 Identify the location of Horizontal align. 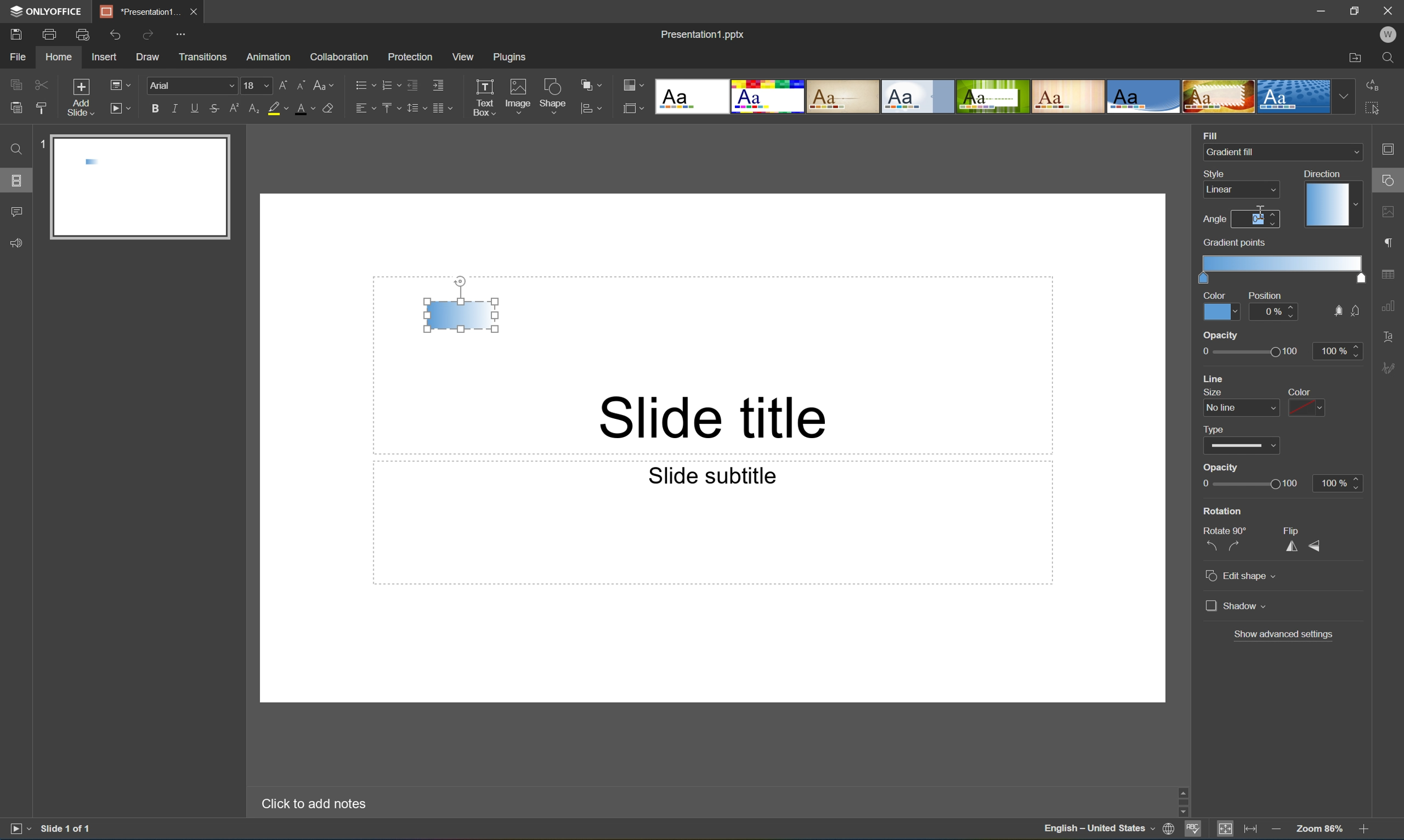
(365, 109).